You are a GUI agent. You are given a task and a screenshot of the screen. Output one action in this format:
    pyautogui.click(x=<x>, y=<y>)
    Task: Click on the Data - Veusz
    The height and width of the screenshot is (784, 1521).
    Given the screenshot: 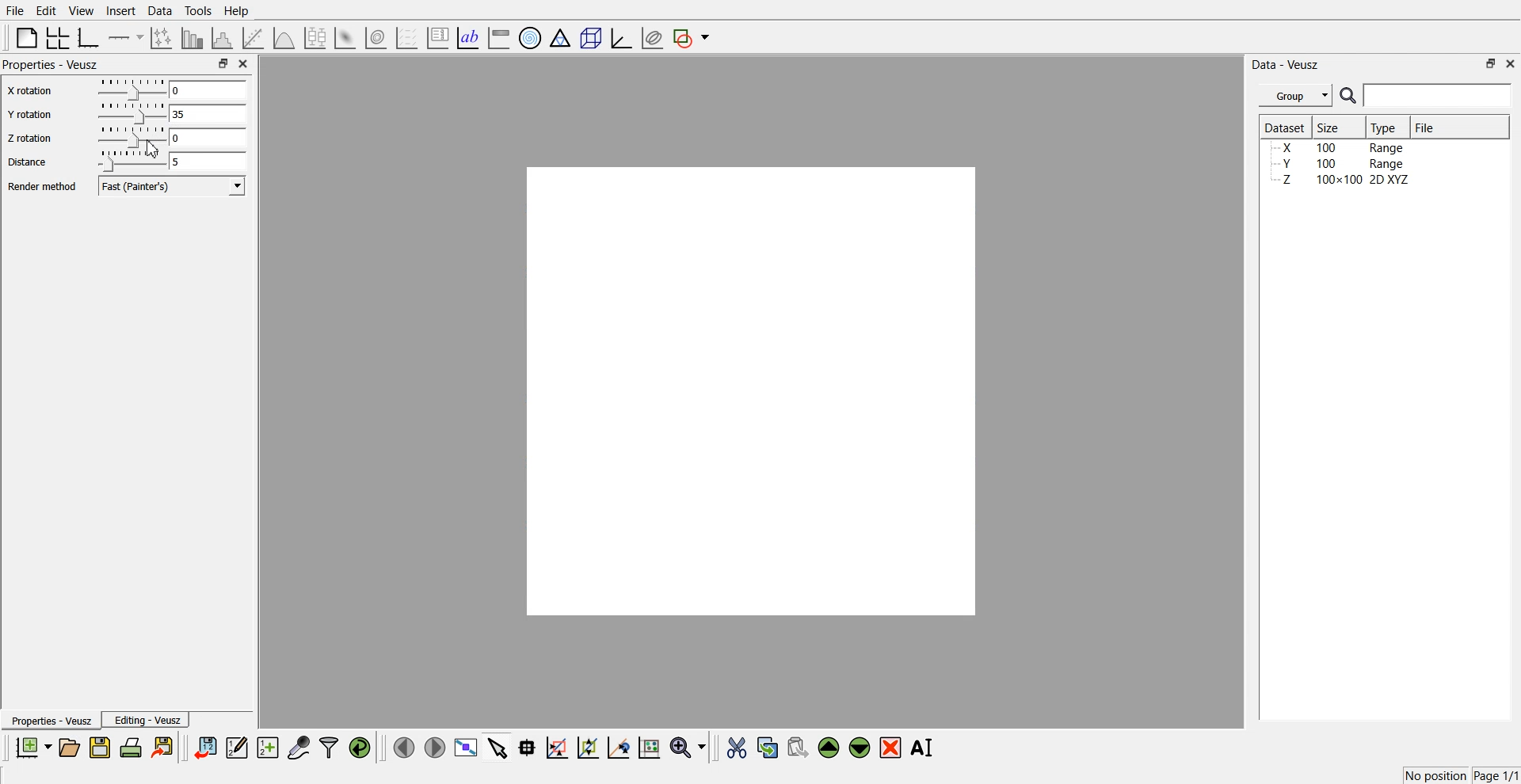 What is the action you would take?
    pyautogui.click(x=1285, y=65)
    